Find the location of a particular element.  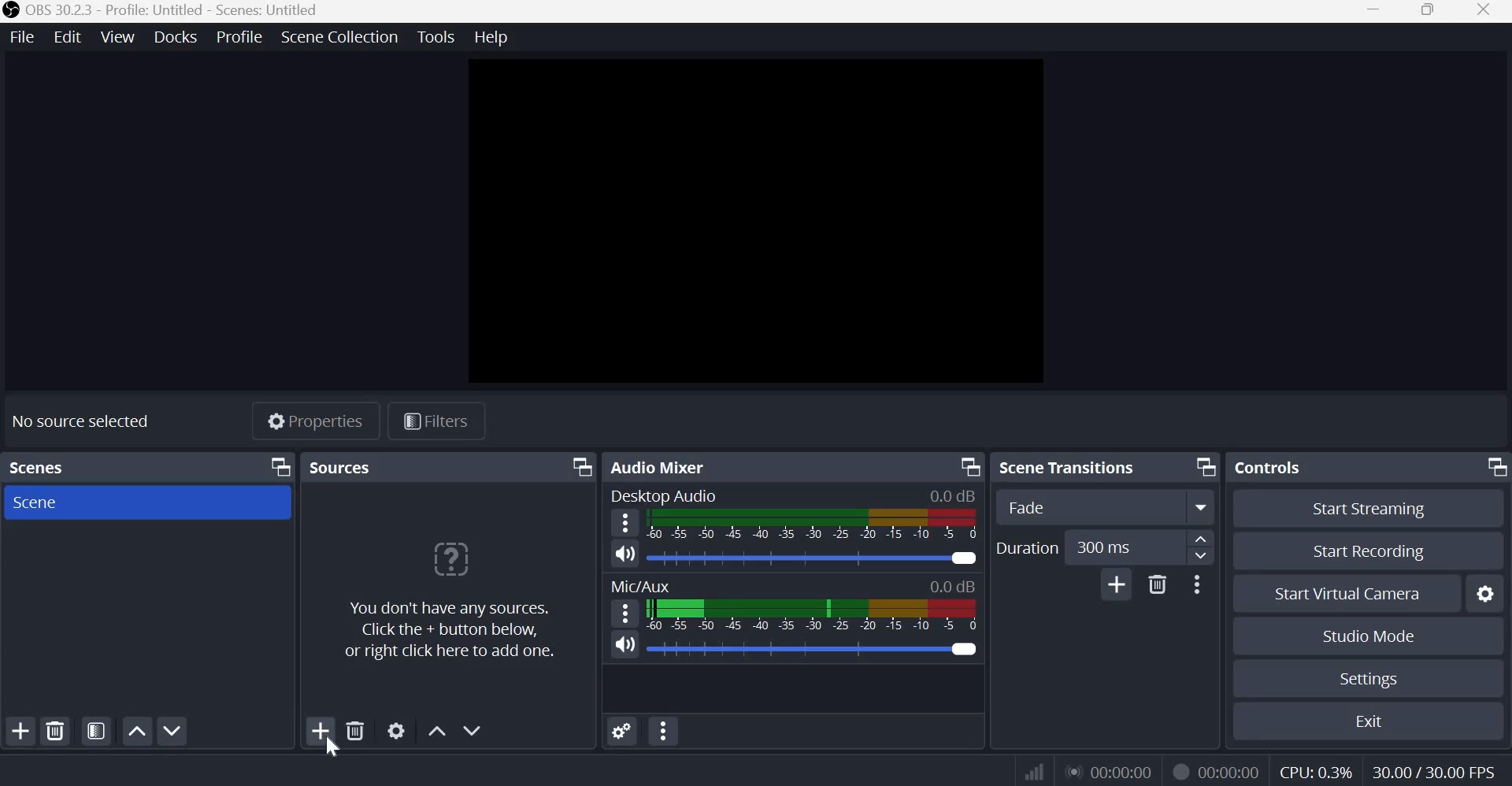

Hamburger menu is located at coordinates (627, 612).